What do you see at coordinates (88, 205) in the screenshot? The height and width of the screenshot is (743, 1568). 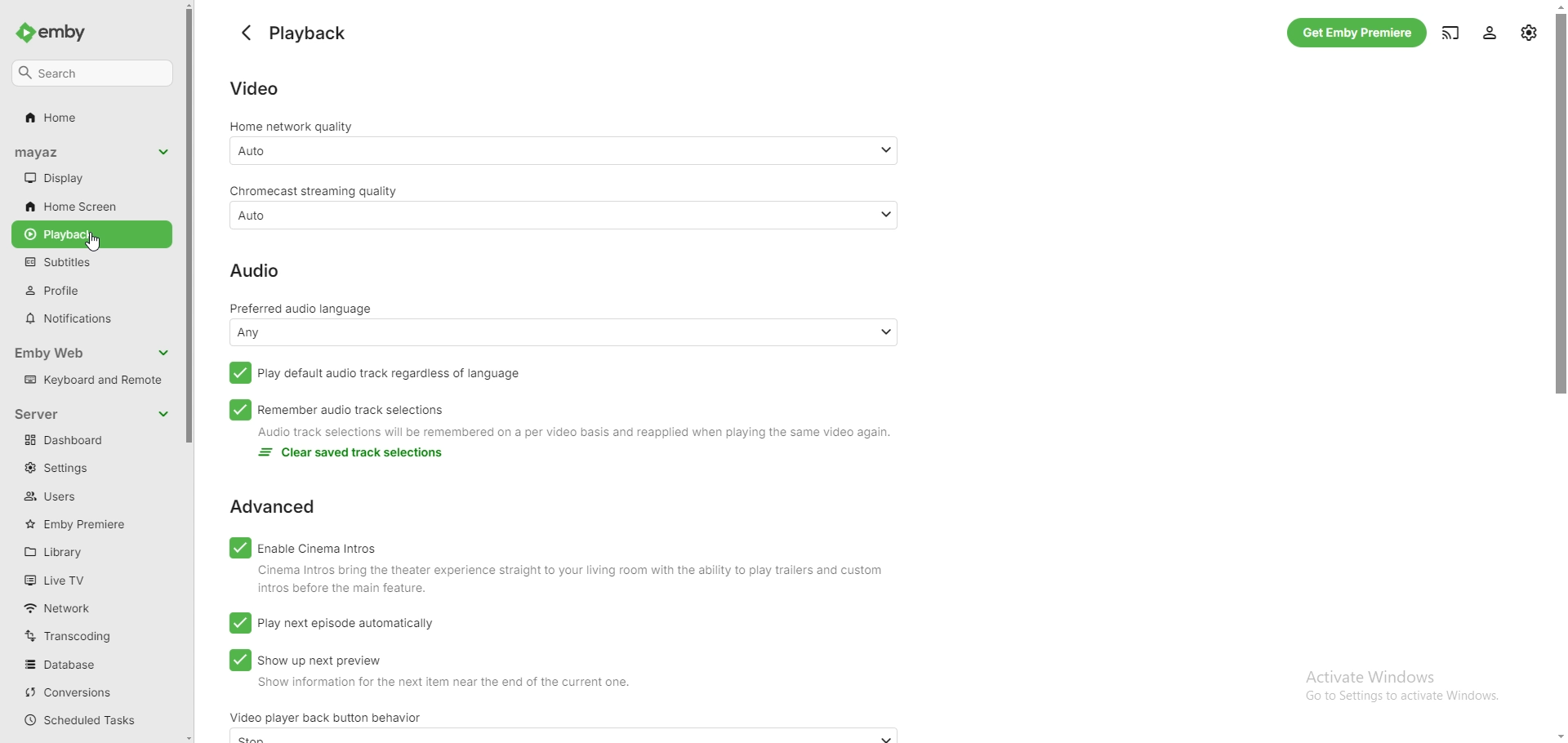 I see `home screen` at bounding box center [88, 205].